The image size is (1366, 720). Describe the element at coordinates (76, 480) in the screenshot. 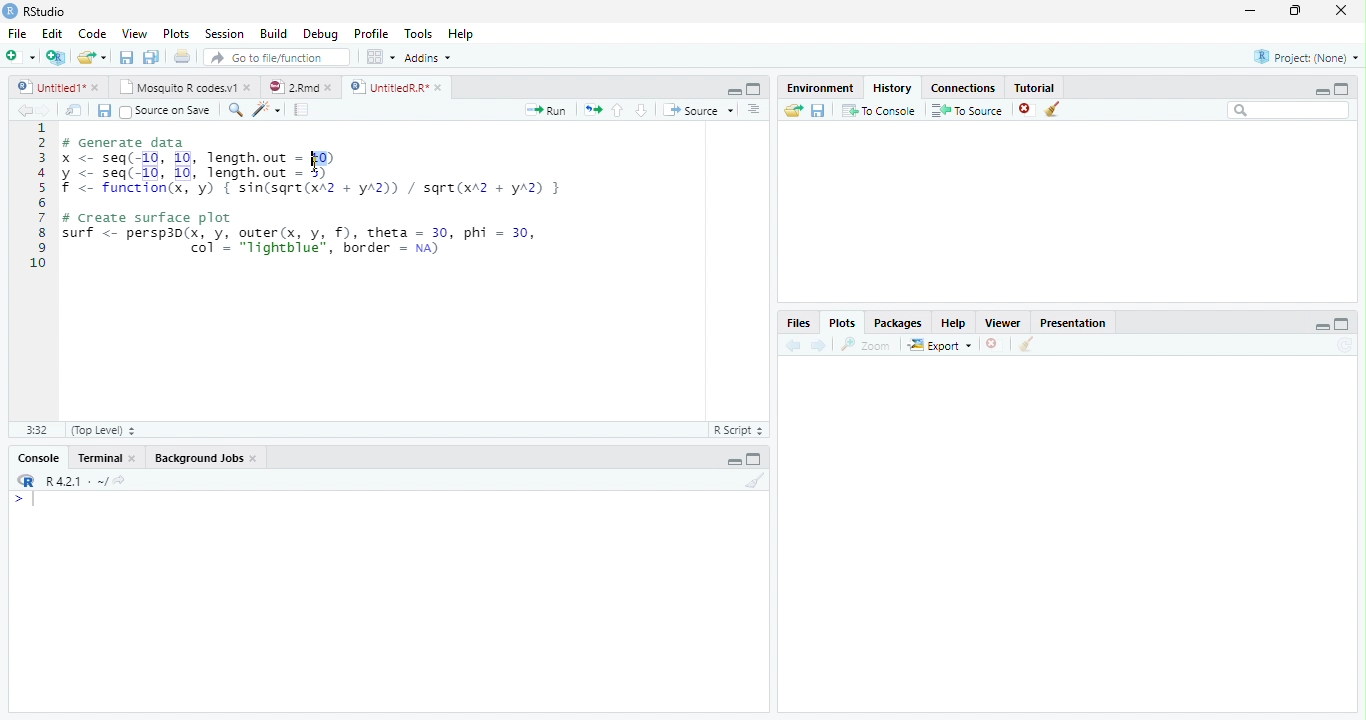

I see `R 4.2.1 . ~/` at that location.